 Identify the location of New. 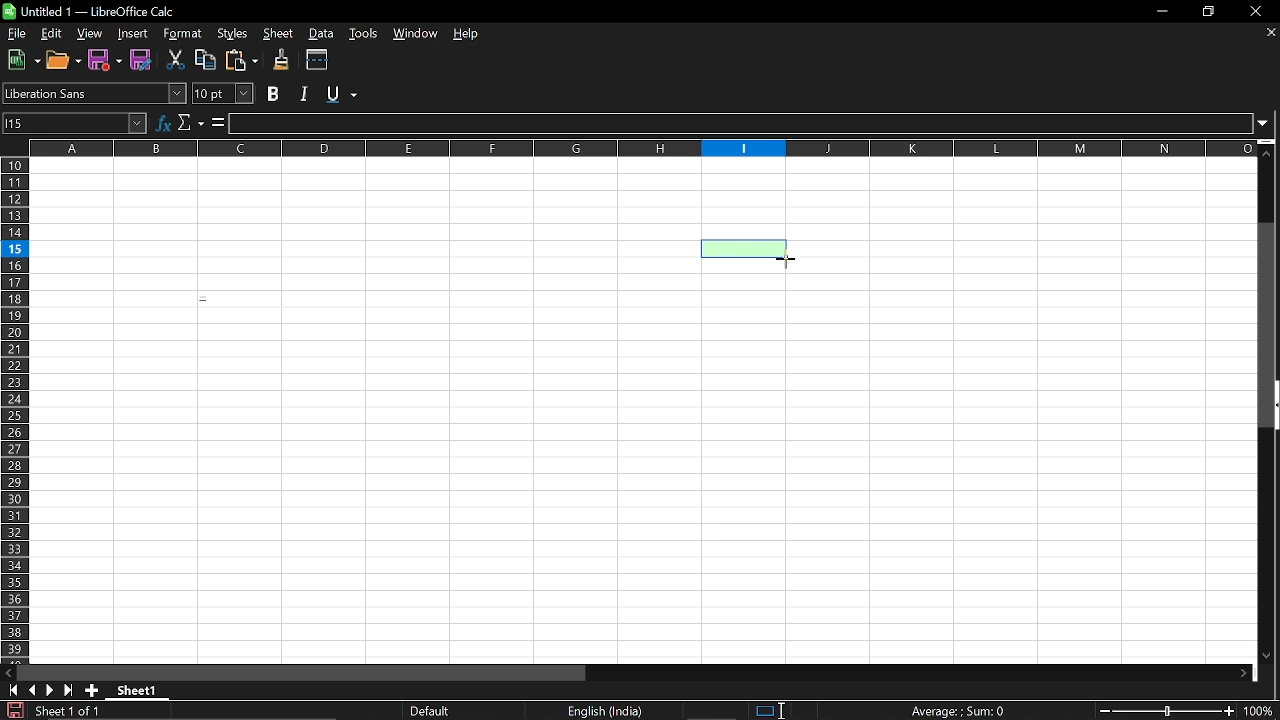
(20, 61).